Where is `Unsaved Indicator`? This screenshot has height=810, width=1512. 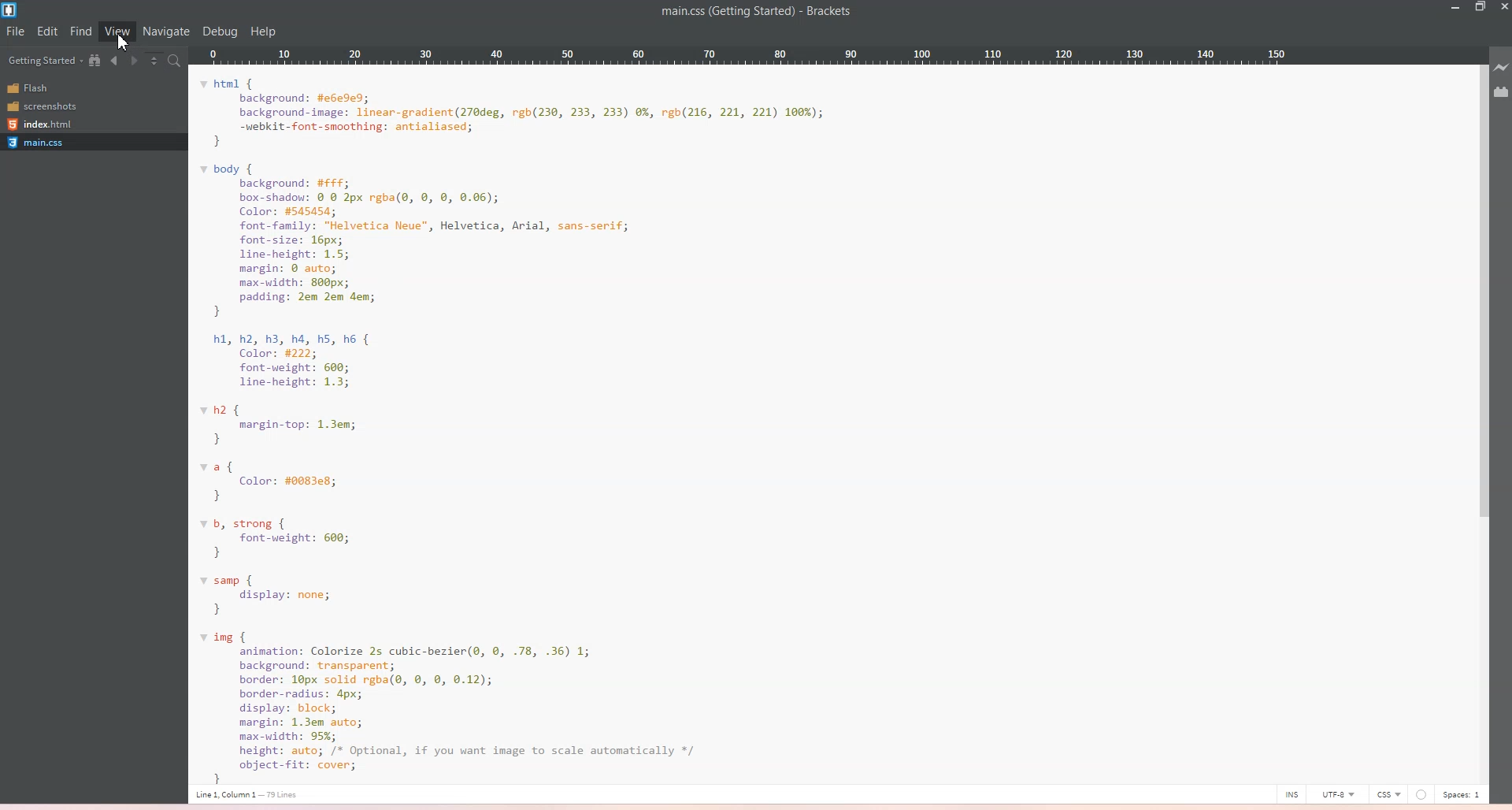
Unsaved Indicator is located at coordinates (1419, 793).